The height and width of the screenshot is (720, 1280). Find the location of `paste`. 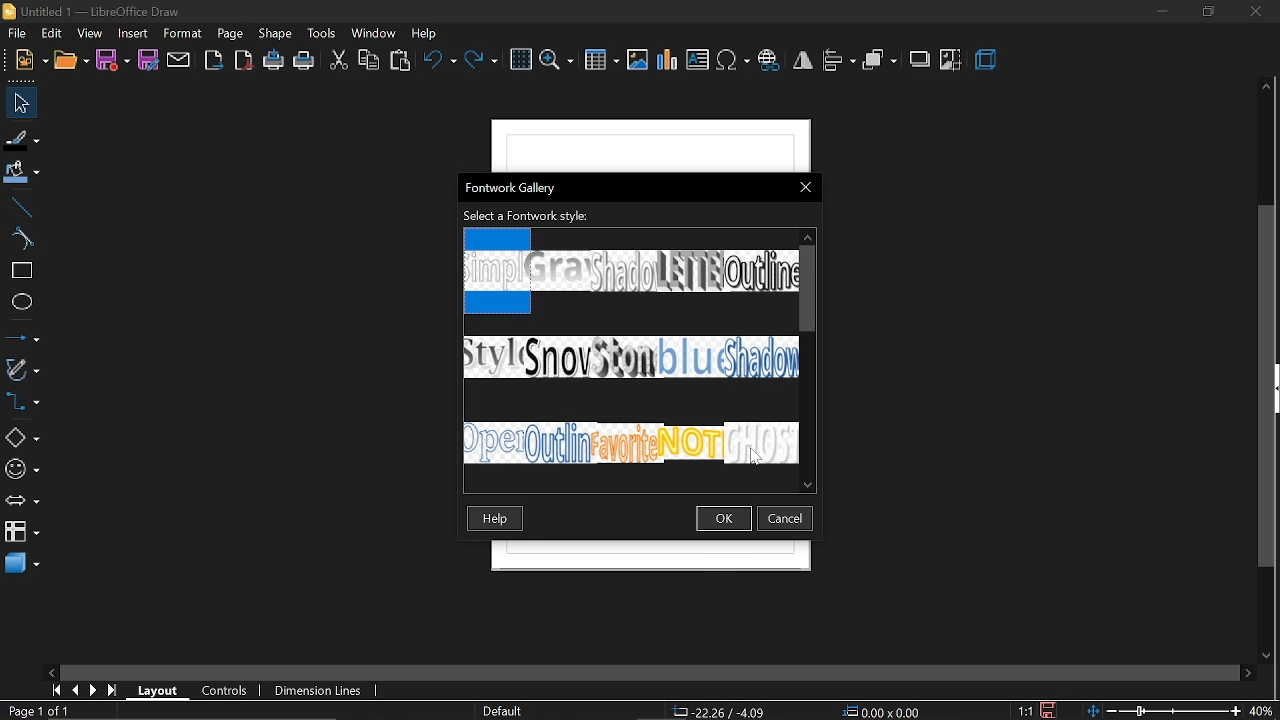

paste is located at coordinates (402, 60).